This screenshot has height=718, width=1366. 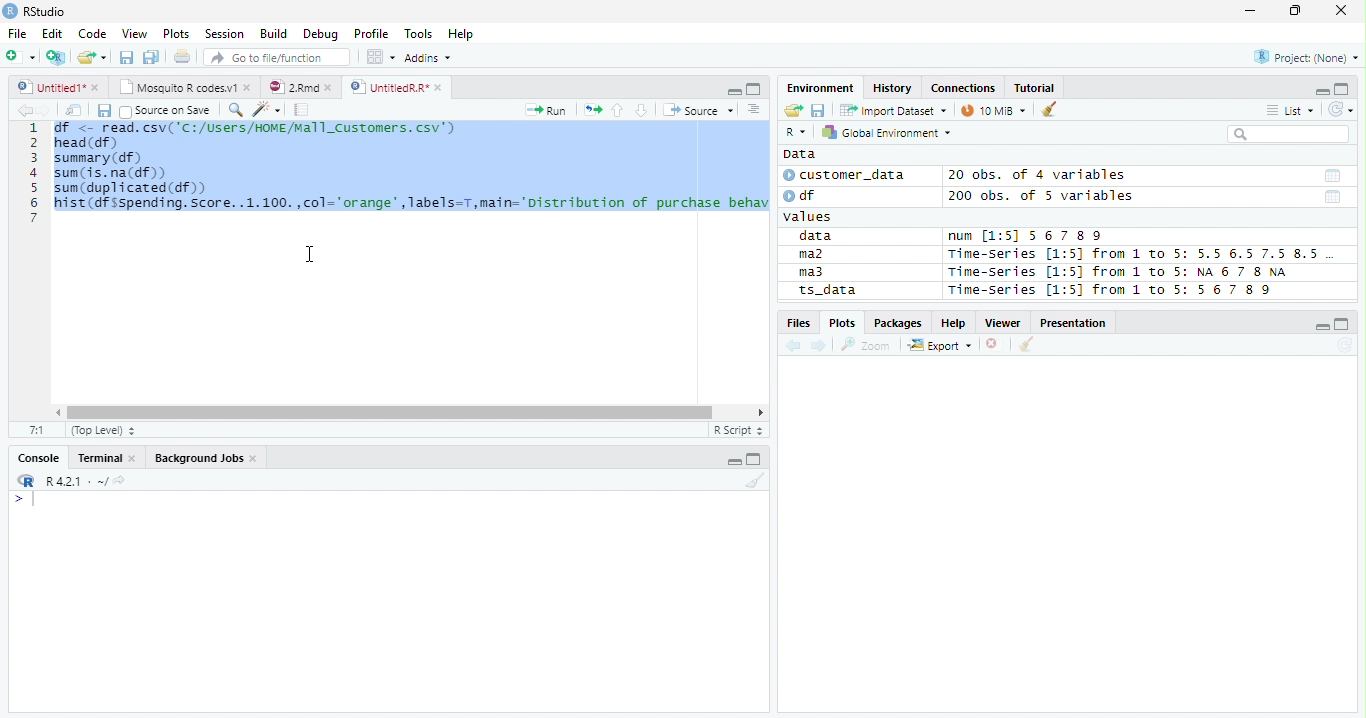 What do you see at coordinates (166, 111) in the screenshot?
I see `Source on save` at bounding box center [166, 111].